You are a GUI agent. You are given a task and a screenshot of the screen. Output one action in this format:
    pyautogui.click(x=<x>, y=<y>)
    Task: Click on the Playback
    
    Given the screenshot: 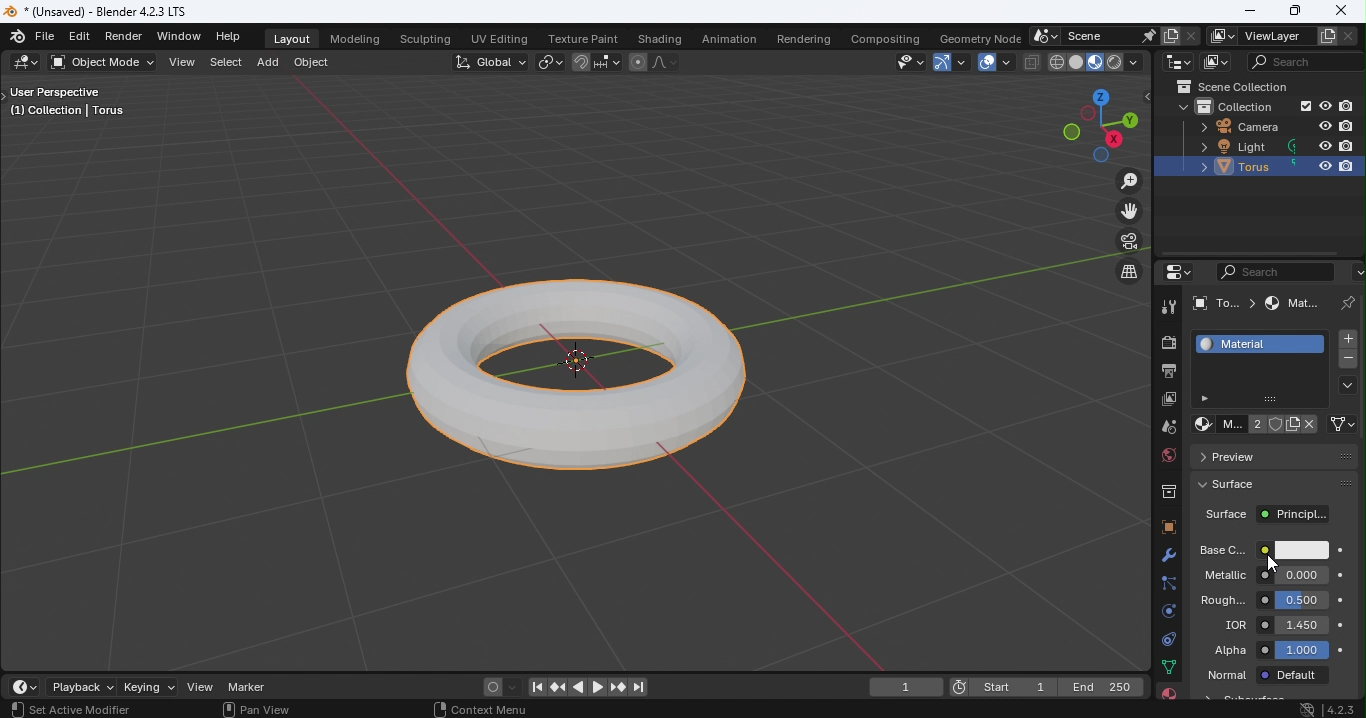 What is the action you would take?
    pyautogui.click(x=82, y=687)
    